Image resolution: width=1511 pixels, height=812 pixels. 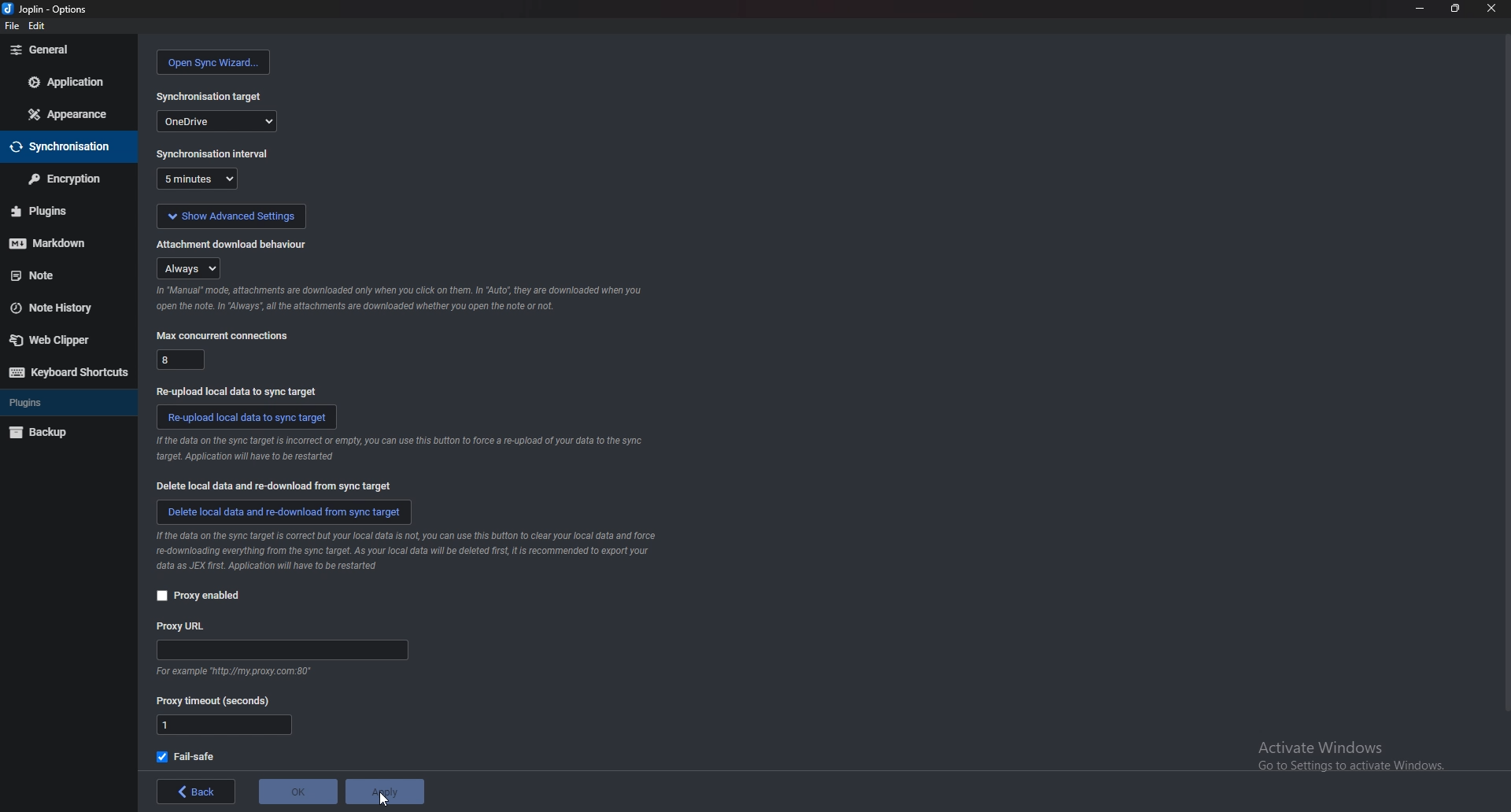 What do you see at coordinates (1503, 383) in the screenshot?
I see `scroll bar` at bounding box center [1503, 383].